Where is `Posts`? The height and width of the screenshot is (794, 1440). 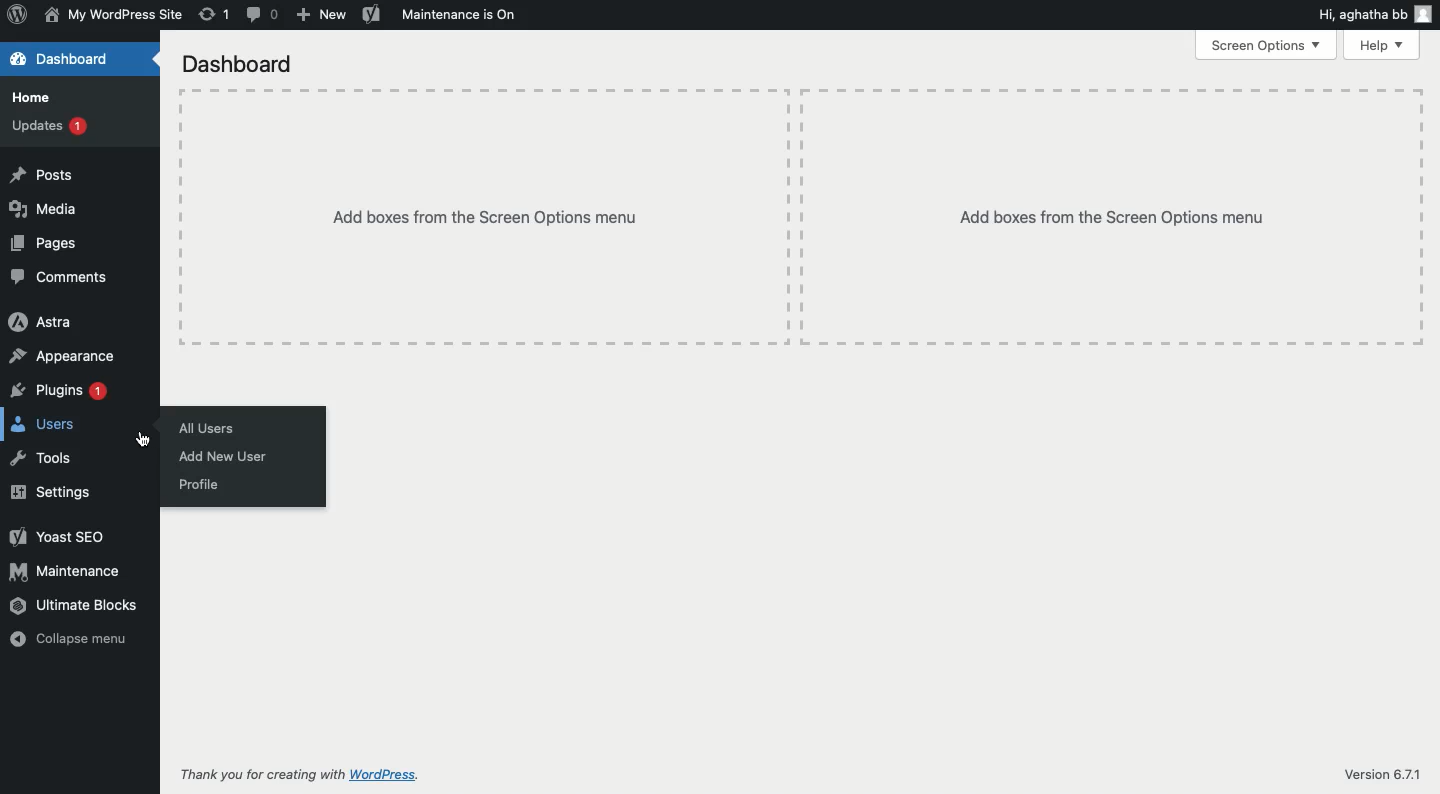 Posts is located at coordinates (43, 177).